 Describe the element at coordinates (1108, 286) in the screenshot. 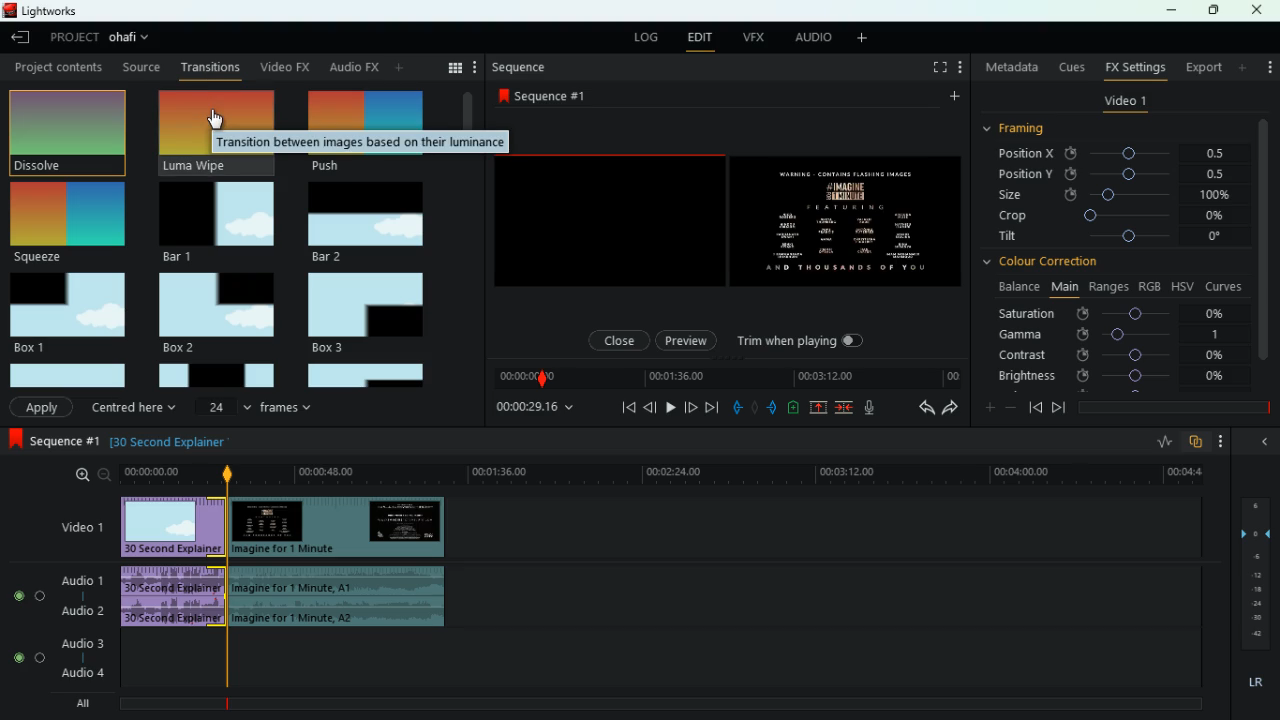

I see `ranges` at that location.